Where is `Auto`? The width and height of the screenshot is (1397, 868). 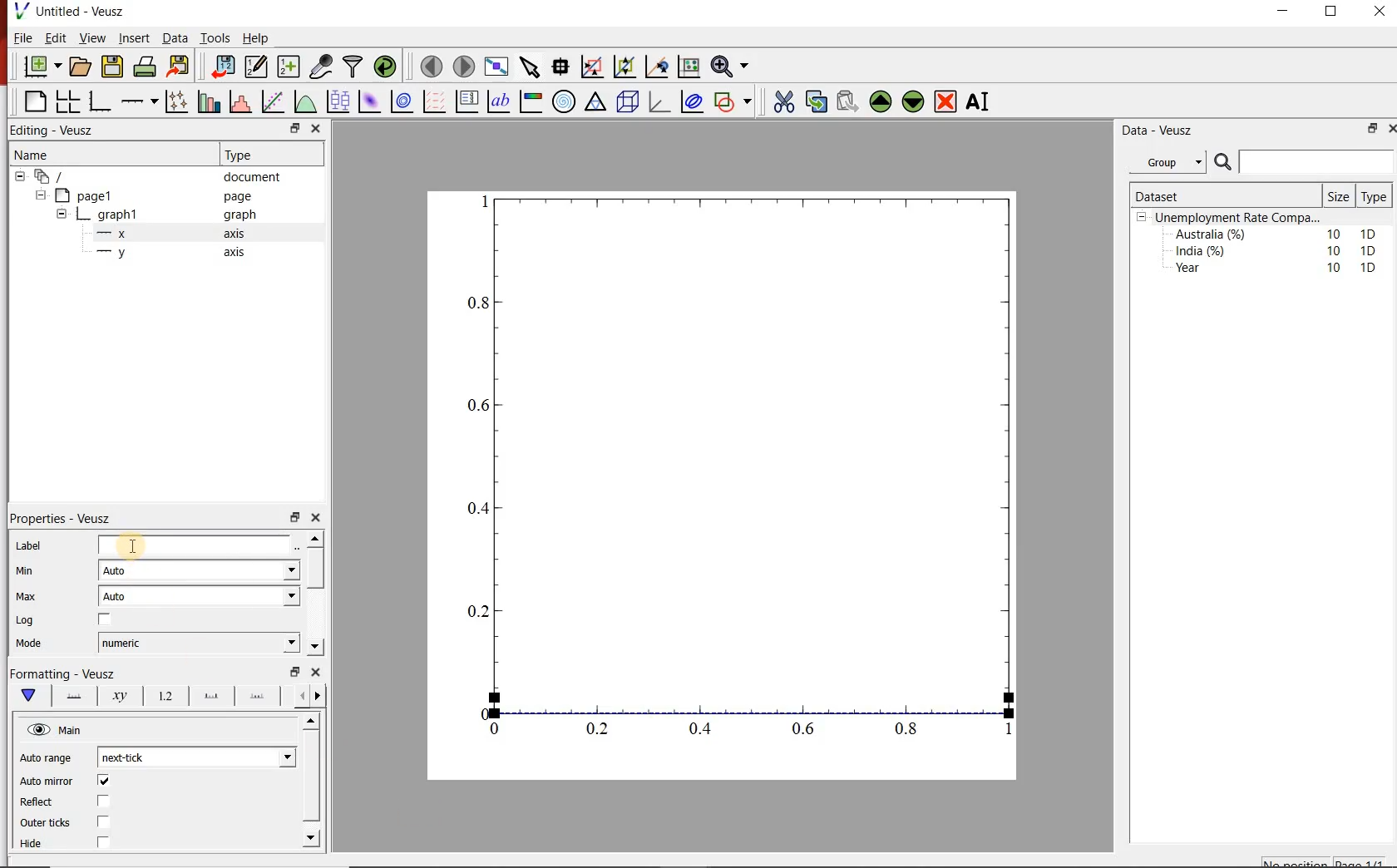
Auto is located at coordinates (200, 596).